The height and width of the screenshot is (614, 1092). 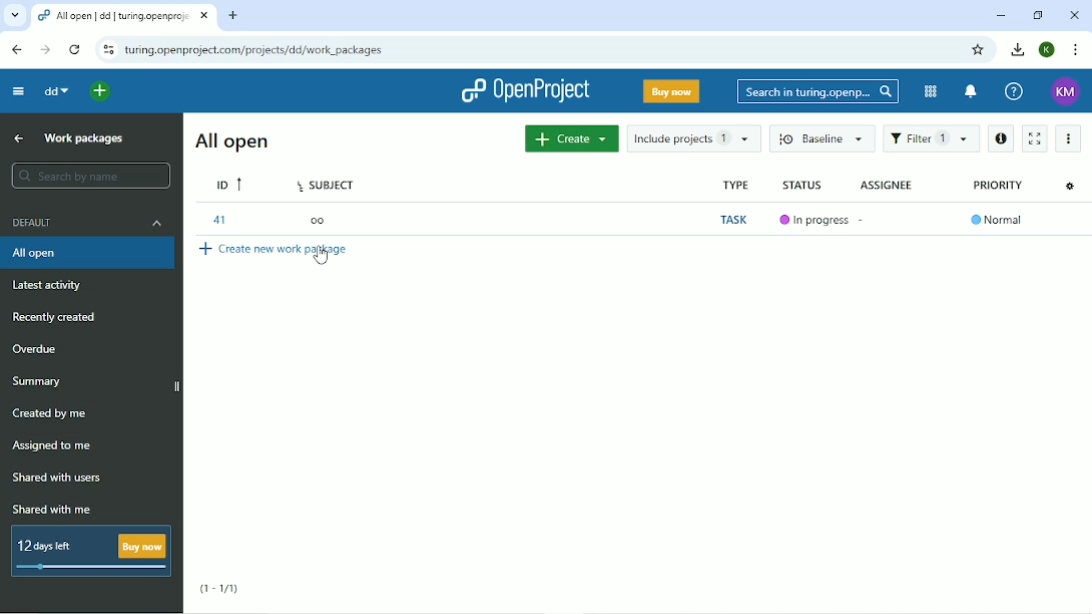 I want to click on Search by name, so click(x=90, y=175).